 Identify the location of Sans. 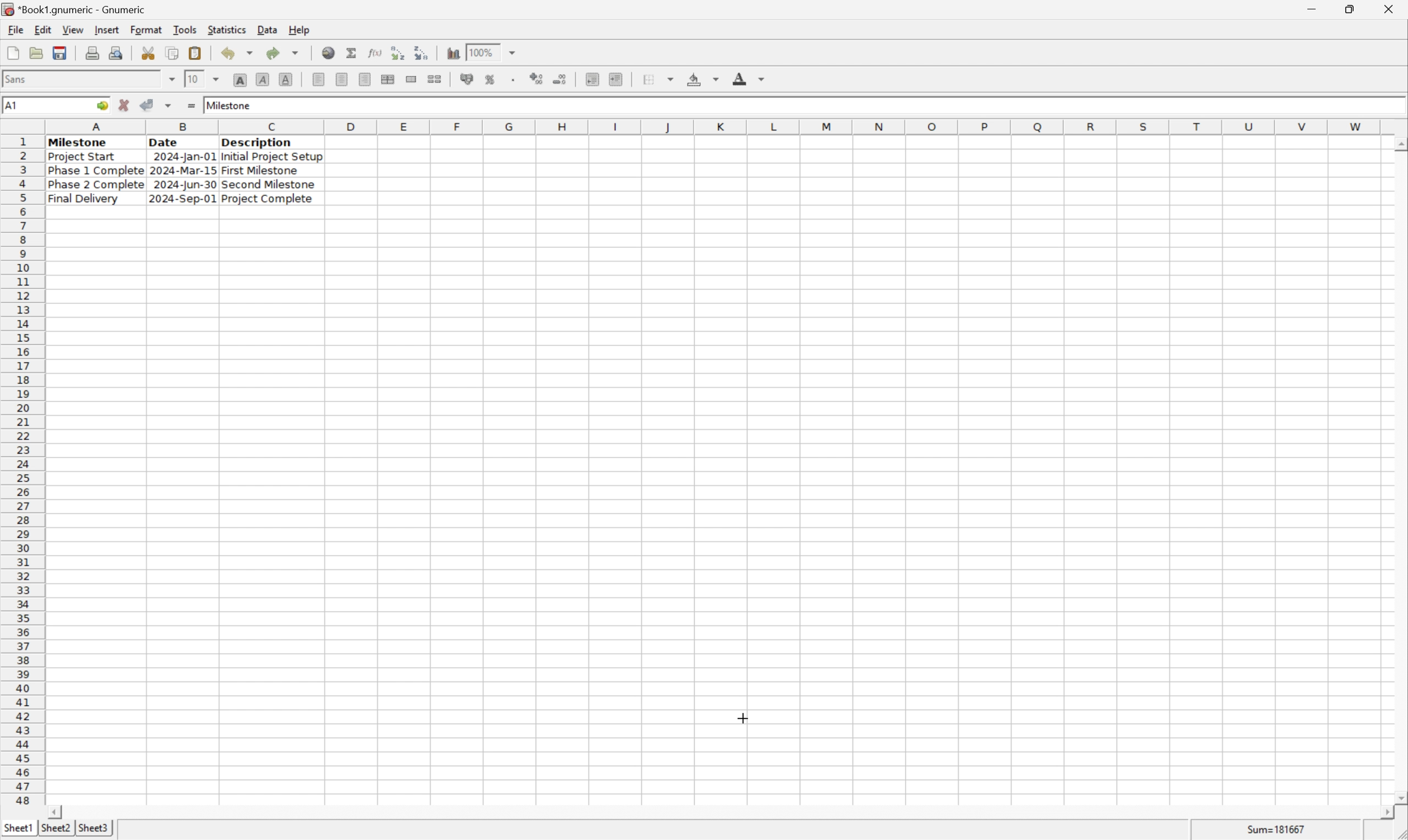
(19, 78).